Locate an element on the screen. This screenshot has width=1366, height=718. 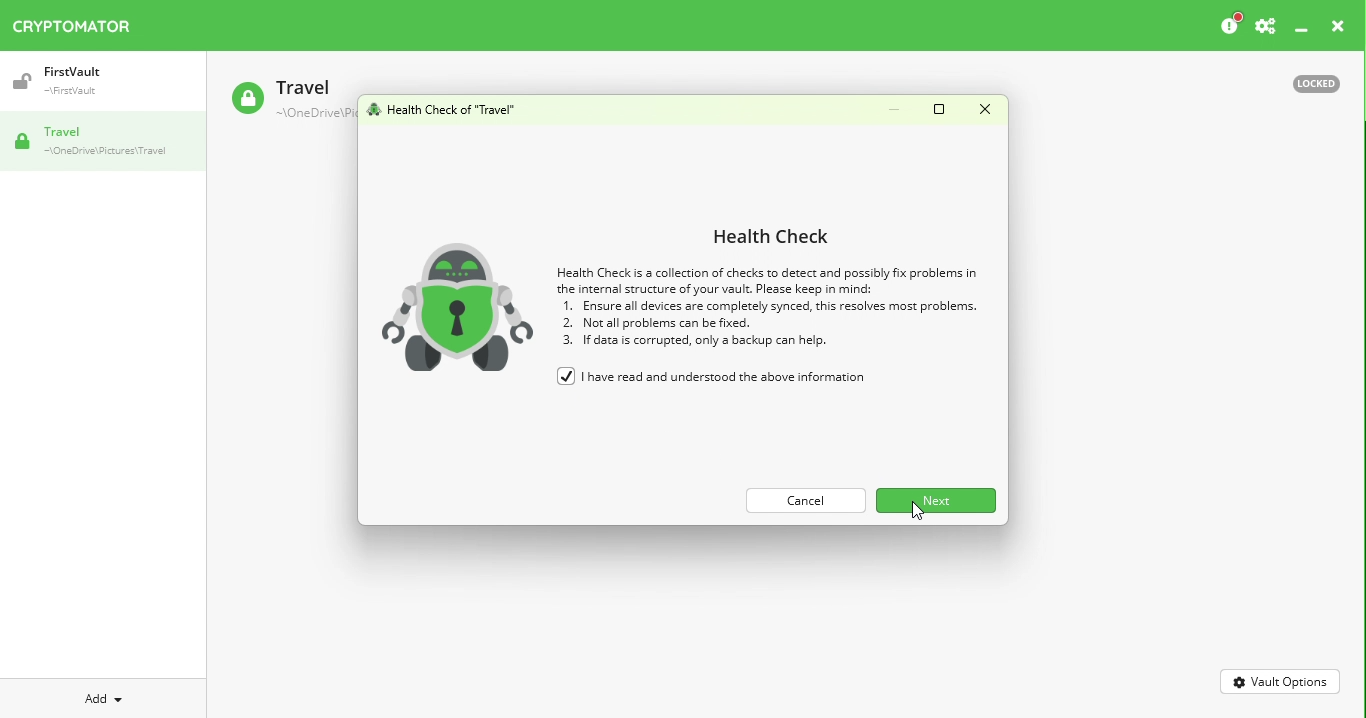
Minimize is located at coordinates (894, 109).